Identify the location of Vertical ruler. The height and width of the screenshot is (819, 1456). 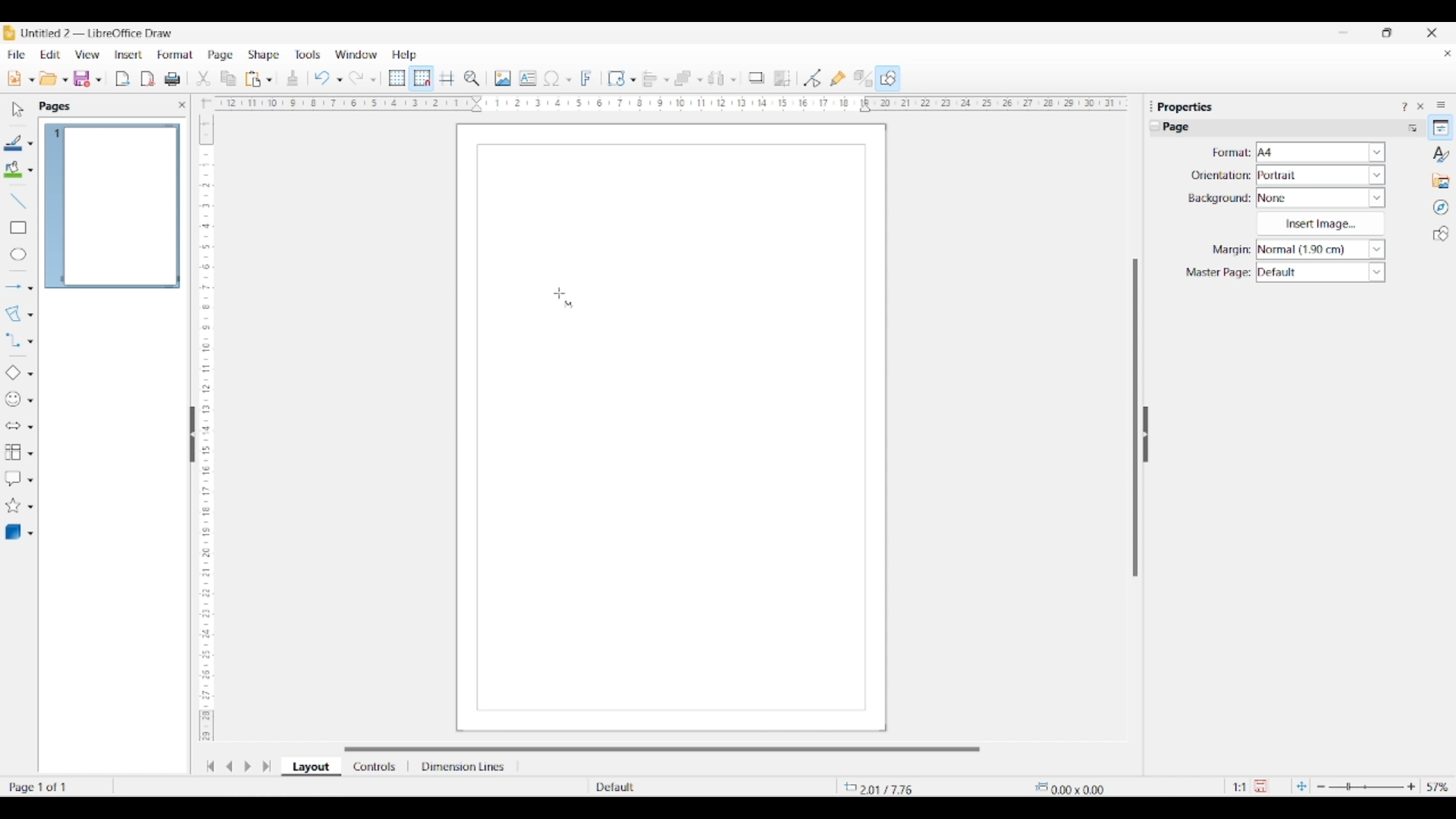
(204, 421).